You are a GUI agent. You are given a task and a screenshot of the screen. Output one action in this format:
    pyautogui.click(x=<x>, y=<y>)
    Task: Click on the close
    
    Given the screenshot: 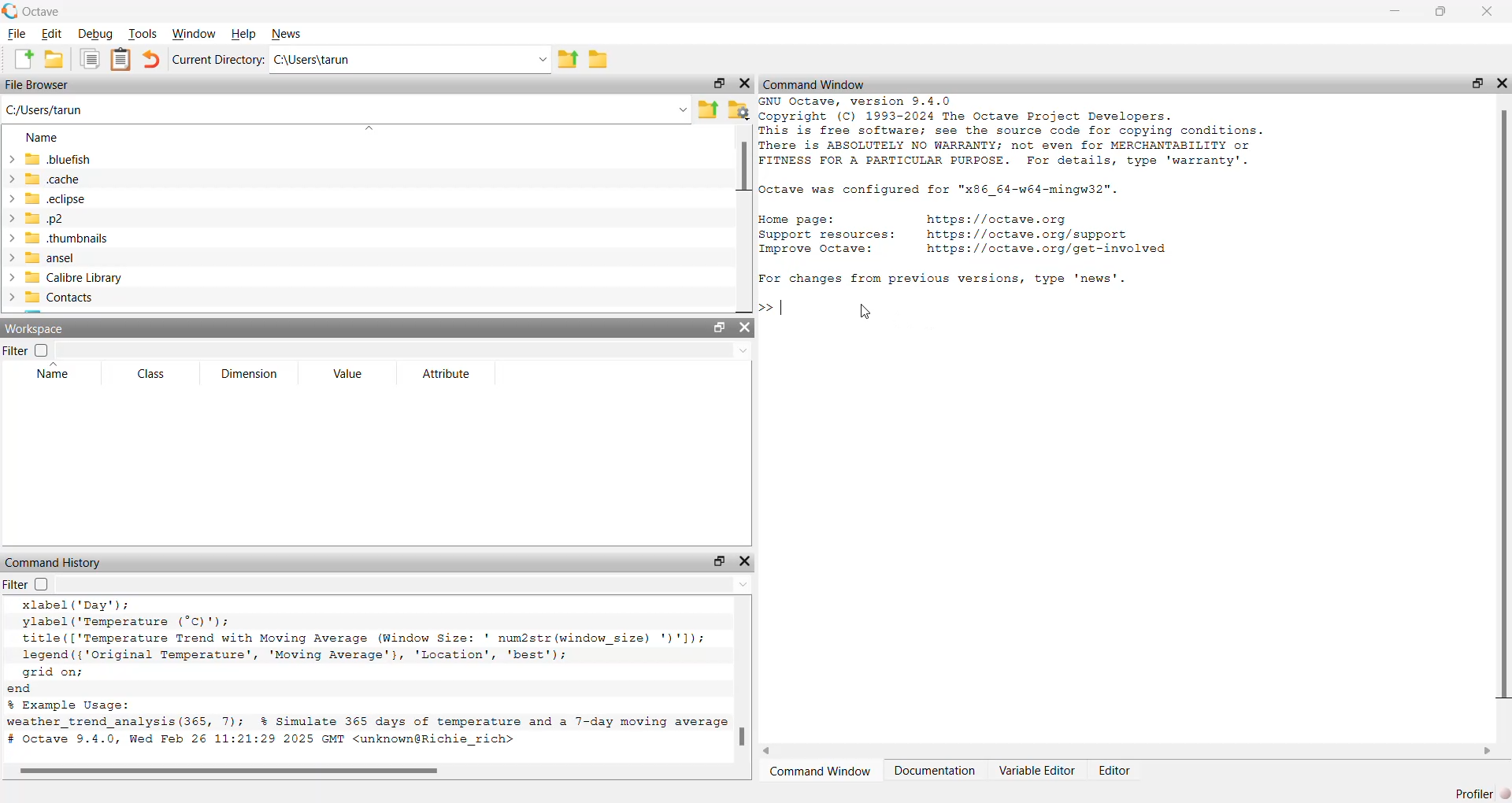 What is the action you would take?
    pyautogui.click(x=740, y=329)
    